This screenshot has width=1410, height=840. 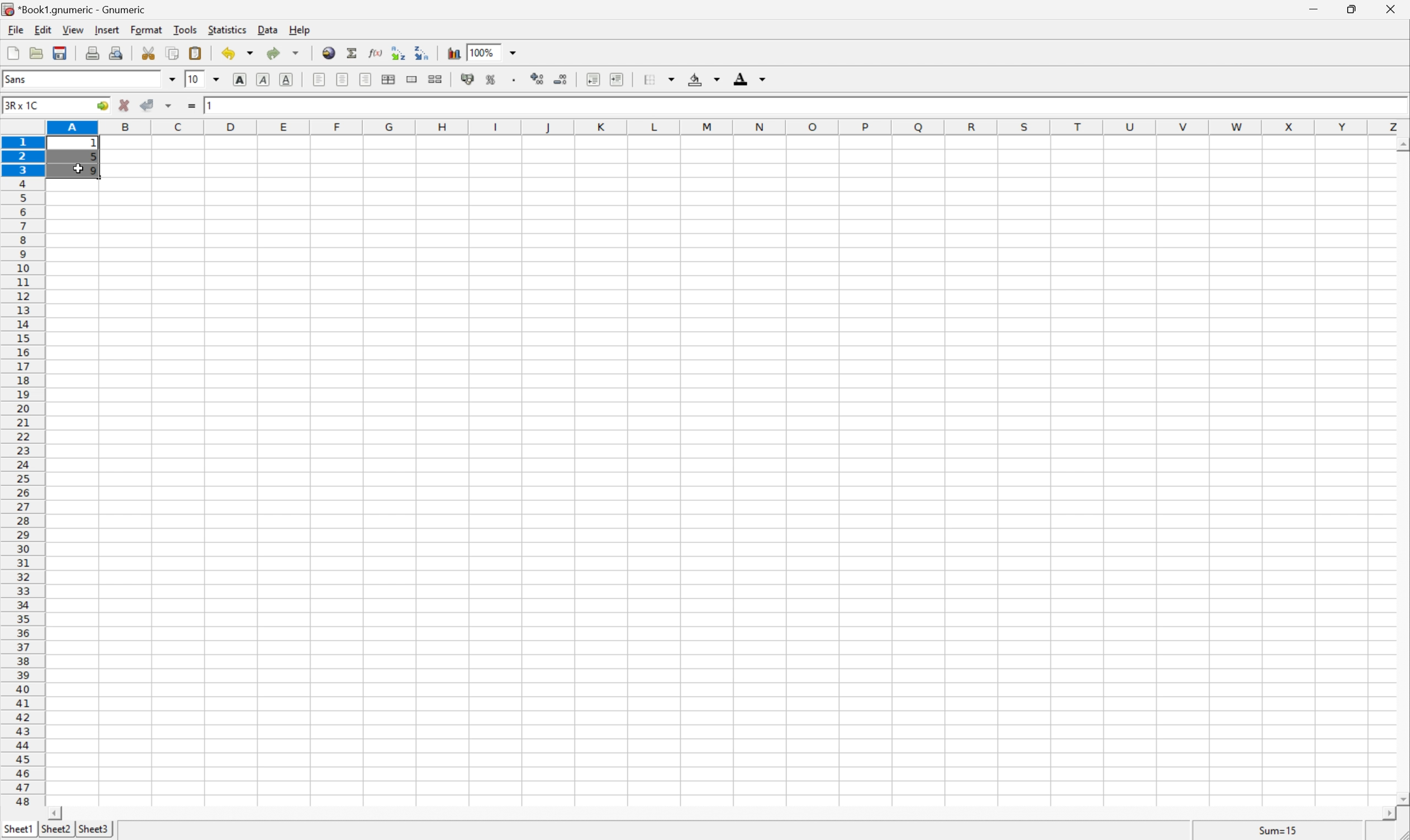 I want to click on copy, so click(x=172, y=53).